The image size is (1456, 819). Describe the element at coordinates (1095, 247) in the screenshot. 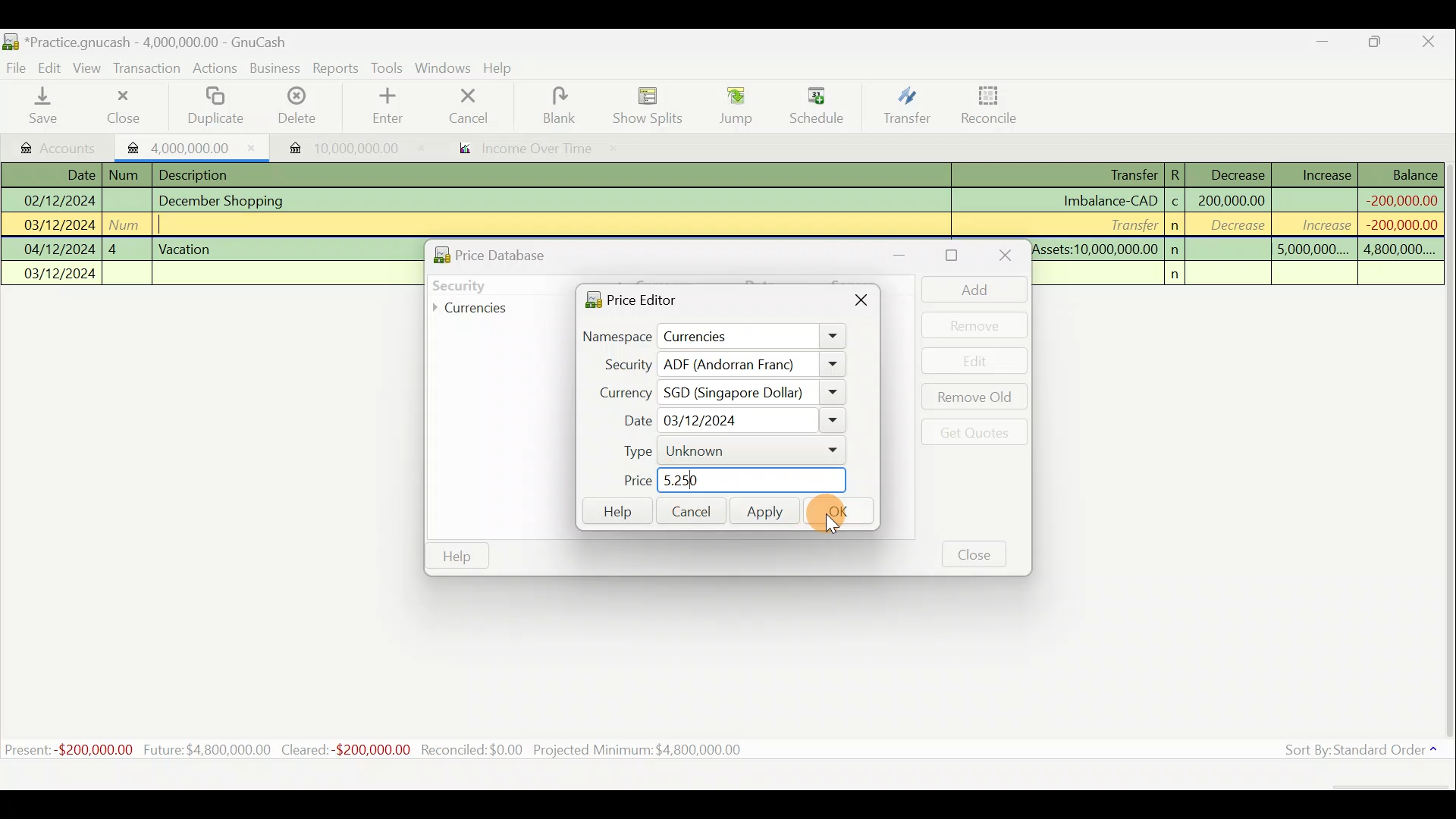

I see `Assets:10,000,000.00` at that location.